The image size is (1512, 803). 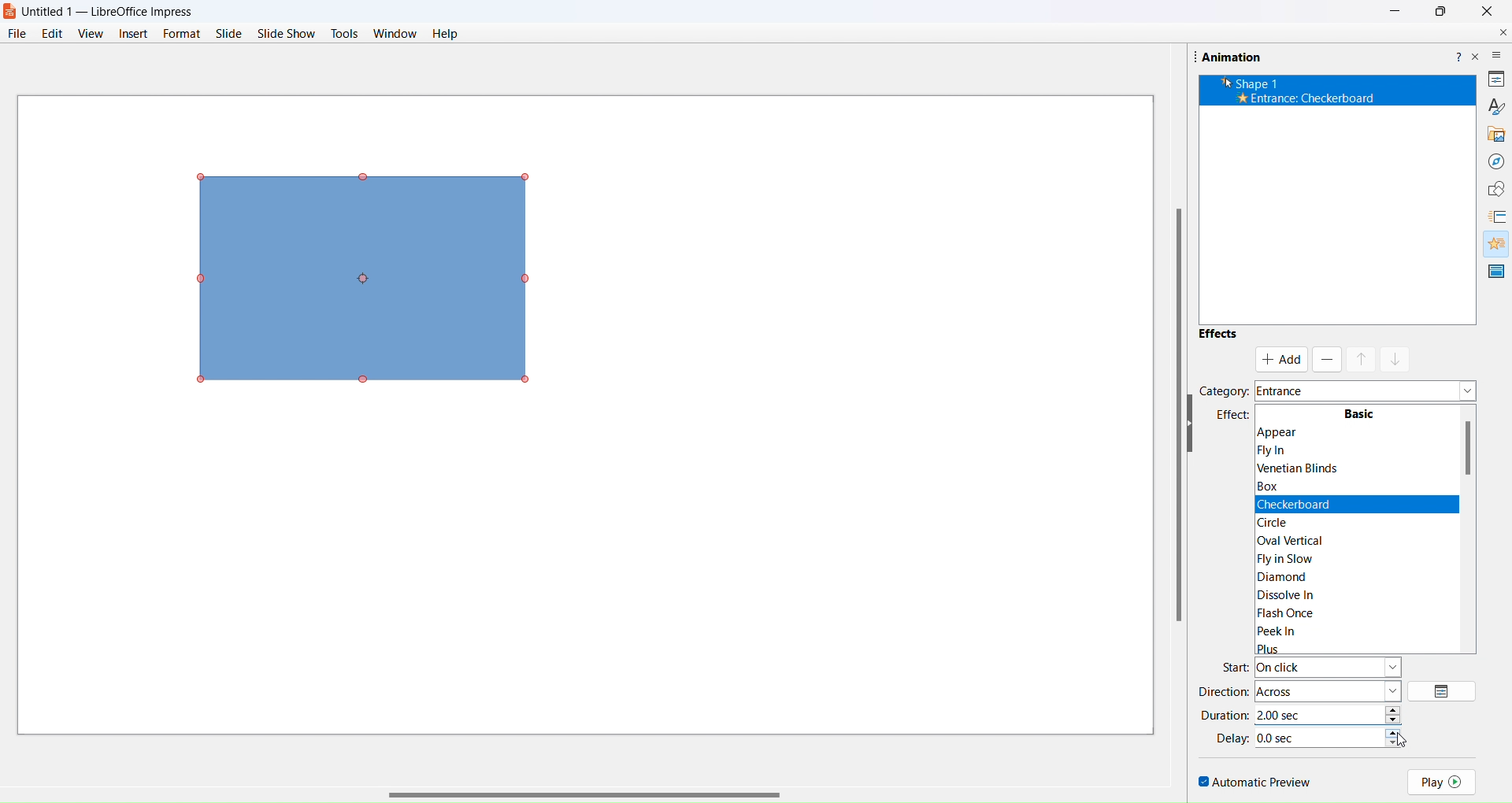 What do you see at coordinates (1313, 631) in the screenshot?
I see `Peek In` at bounding box center [1313, 631].